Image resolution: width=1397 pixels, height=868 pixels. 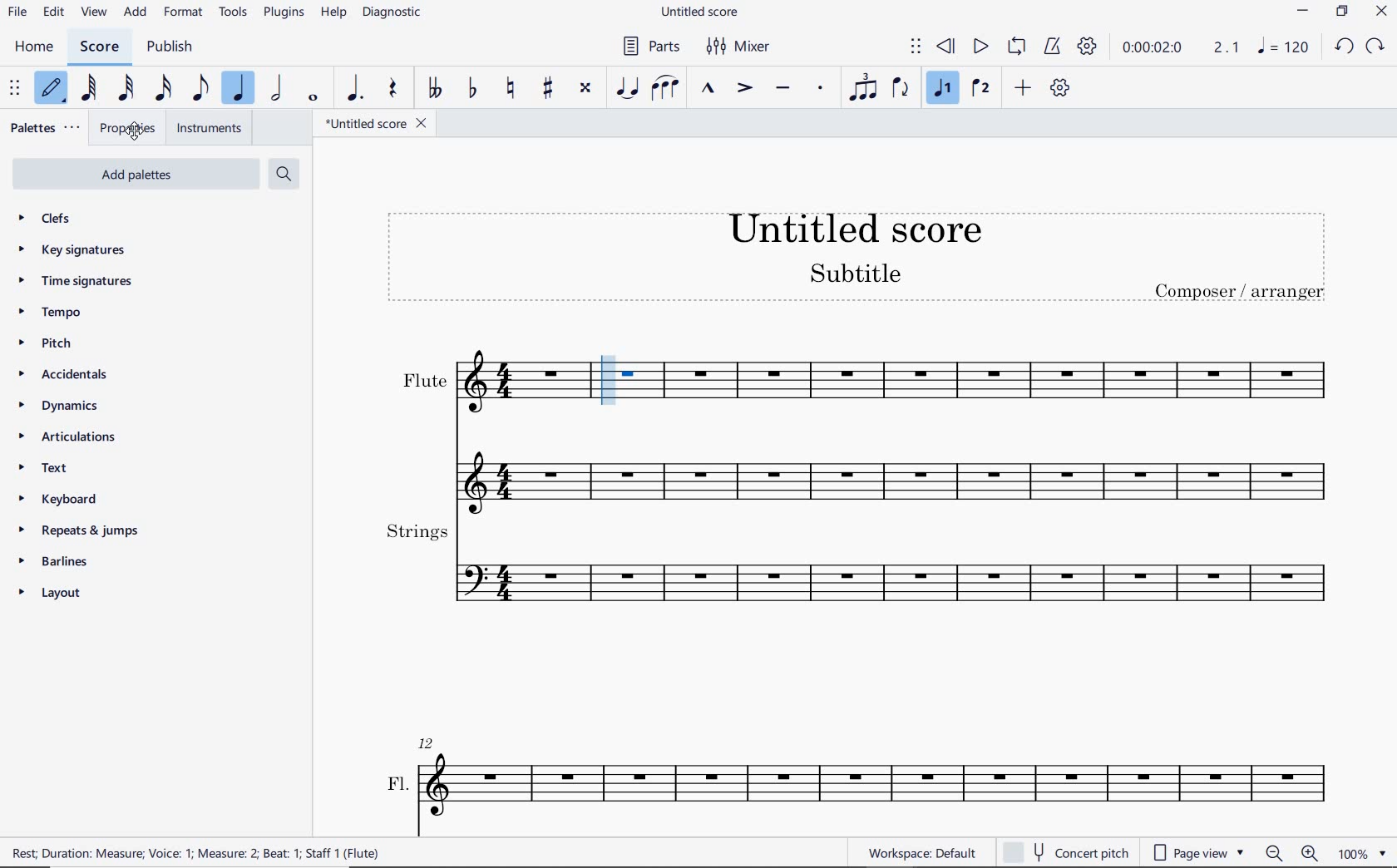 What do you see at coordinates (1182, 50) in the screenshot?
I see `PLAY TIME` at bounding box center [1182, 50].